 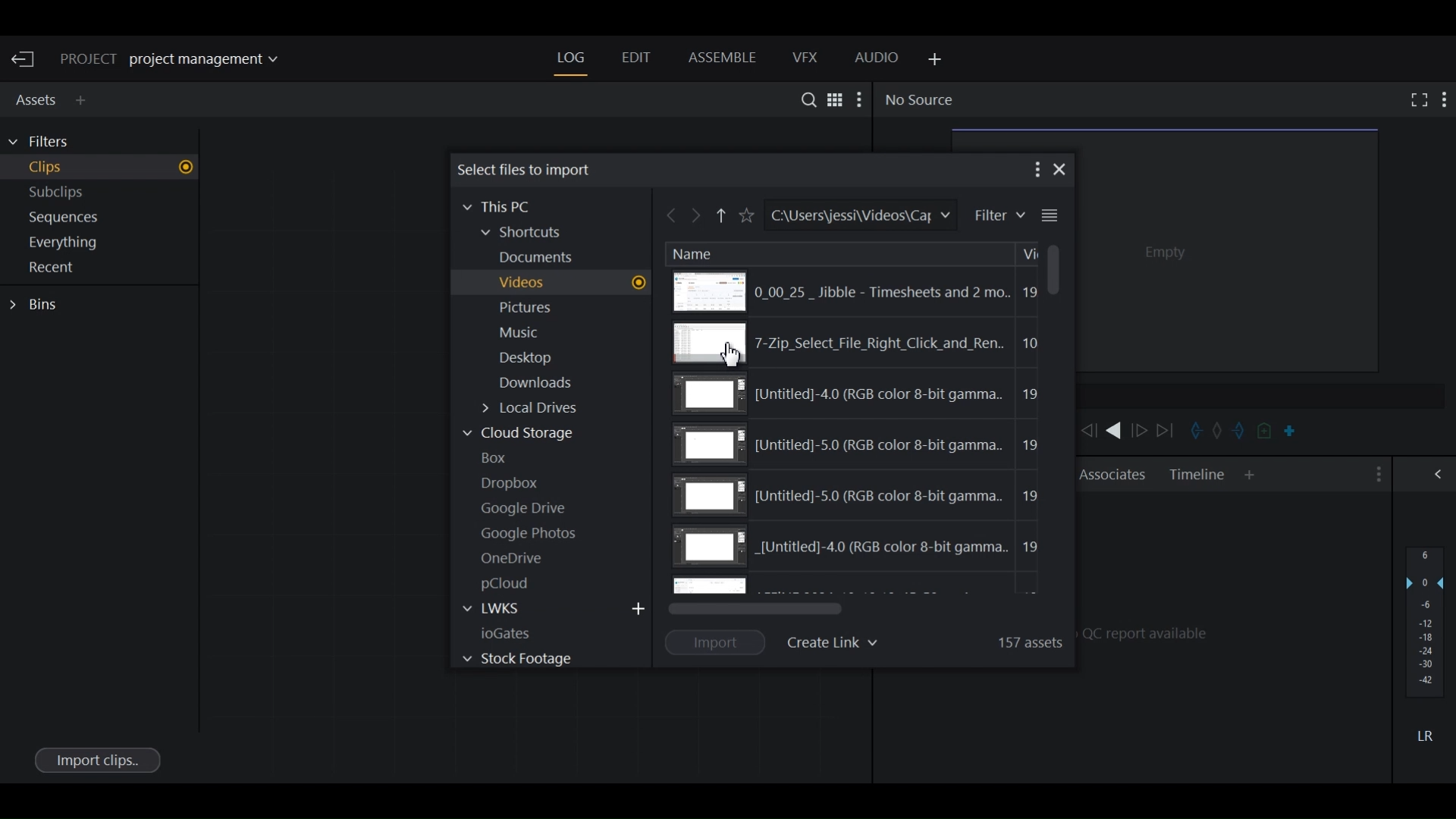 What do you see at coordinates (520, 435) in the screenshot?
I see `` at bounding box center [520, 435].